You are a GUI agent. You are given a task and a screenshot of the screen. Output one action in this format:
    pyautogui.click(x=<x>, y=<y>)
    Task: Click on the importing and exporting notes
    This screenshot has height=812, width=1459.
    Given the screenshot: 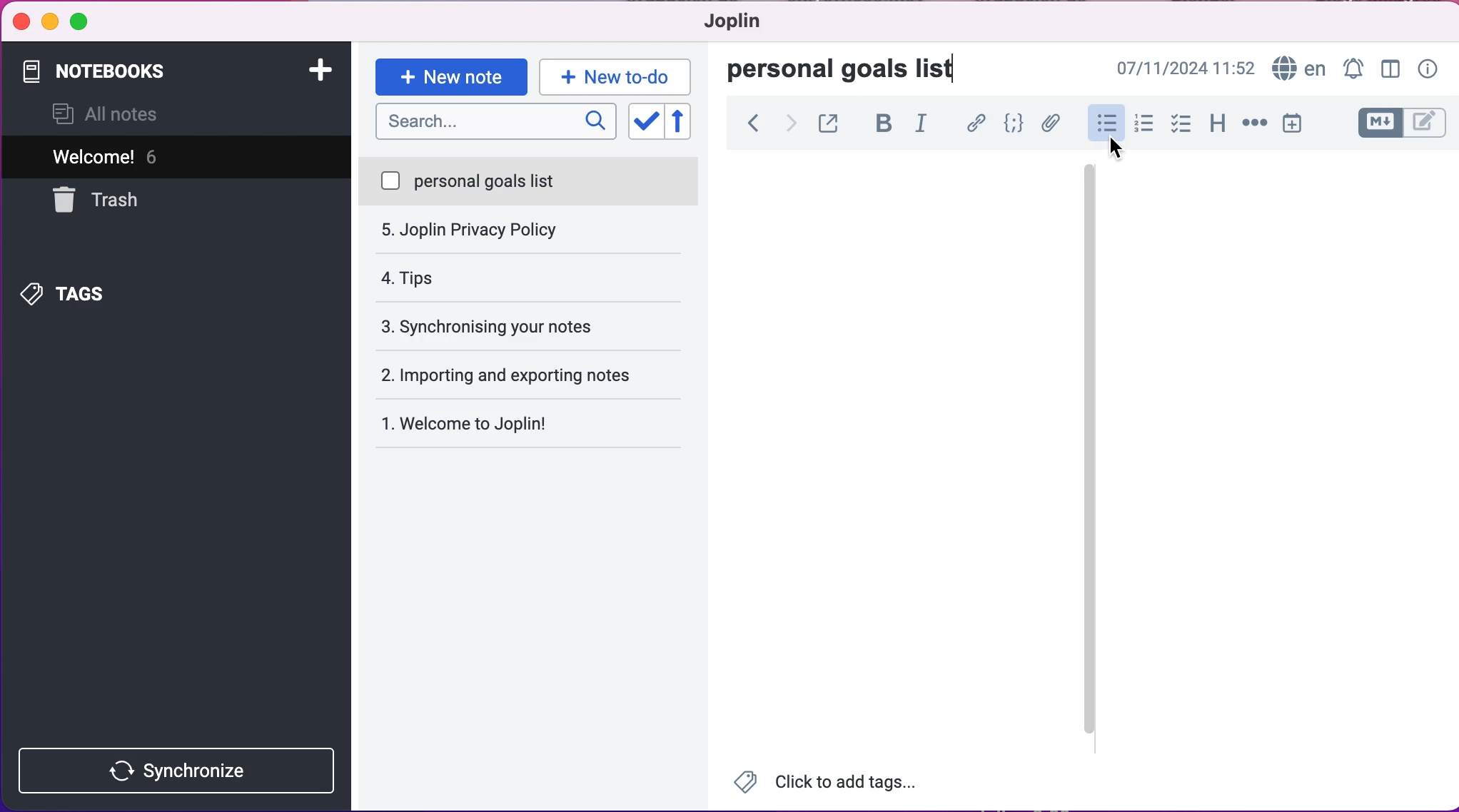 What is the action you would take?
    pyautogui.click(x=536, y=325)
    